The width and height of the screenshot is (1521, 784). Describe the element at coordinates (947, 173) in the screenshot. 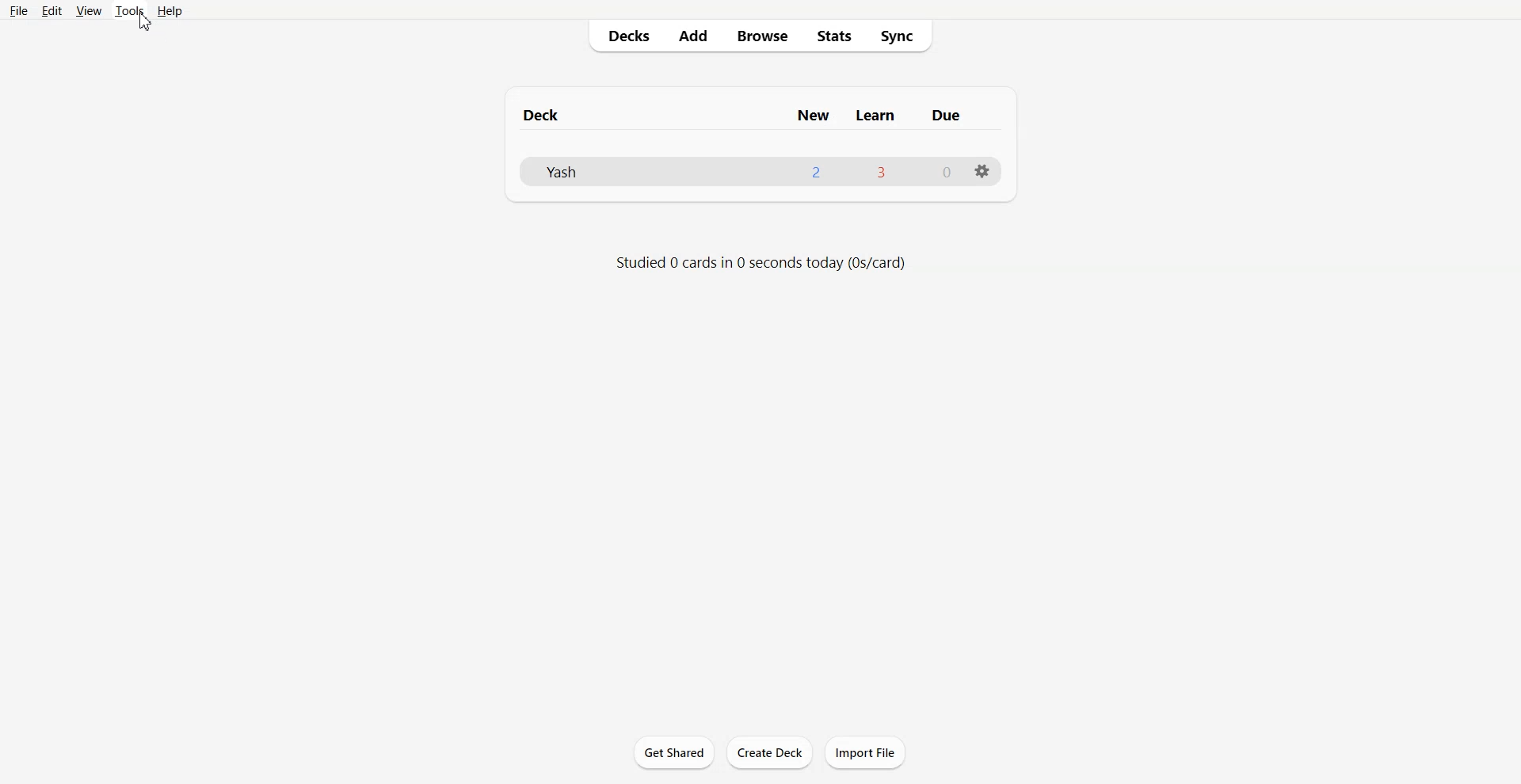

I see `0` at that location.